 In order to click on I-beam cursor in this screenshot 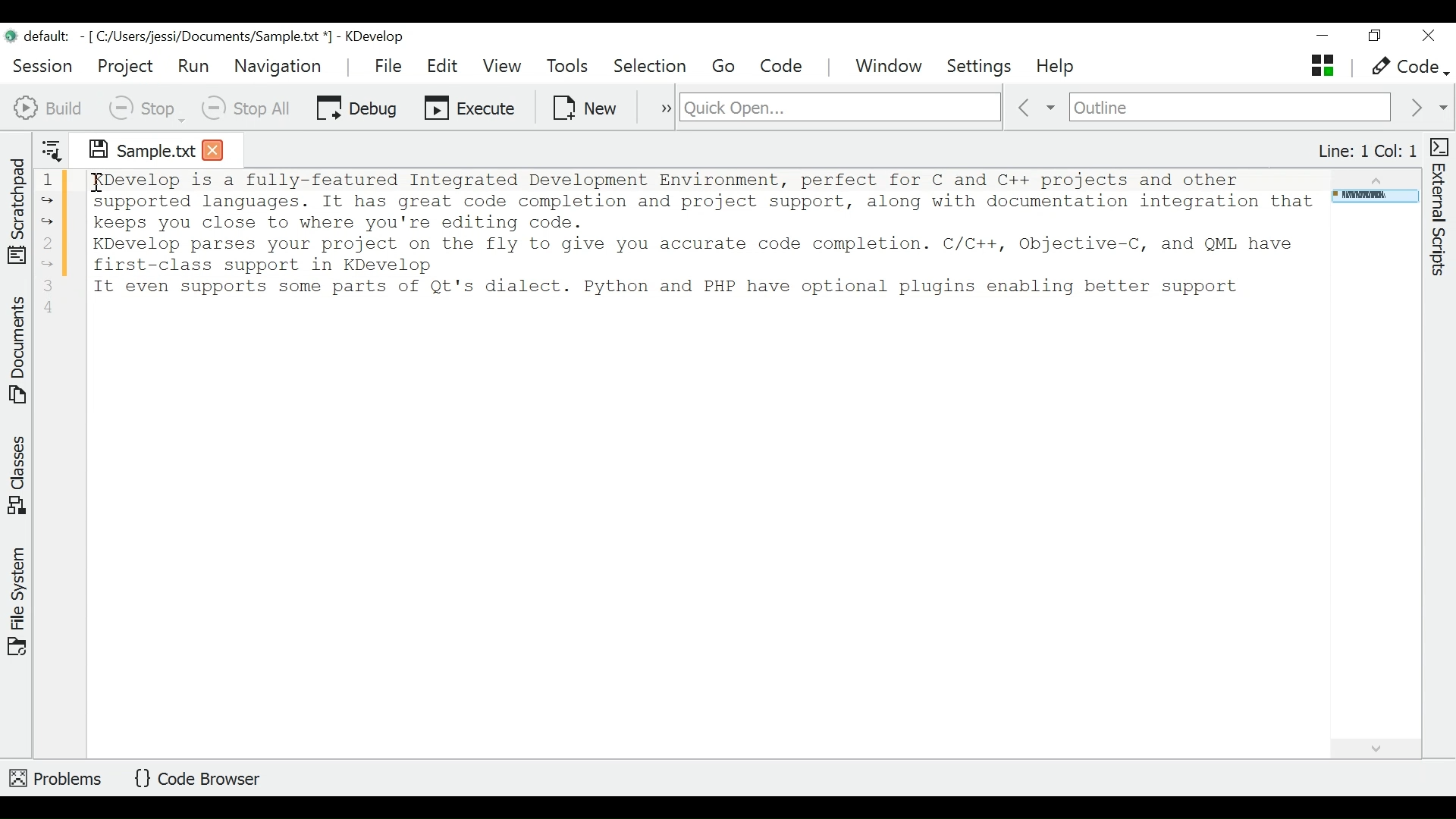, I will do `click(93, 183)`.